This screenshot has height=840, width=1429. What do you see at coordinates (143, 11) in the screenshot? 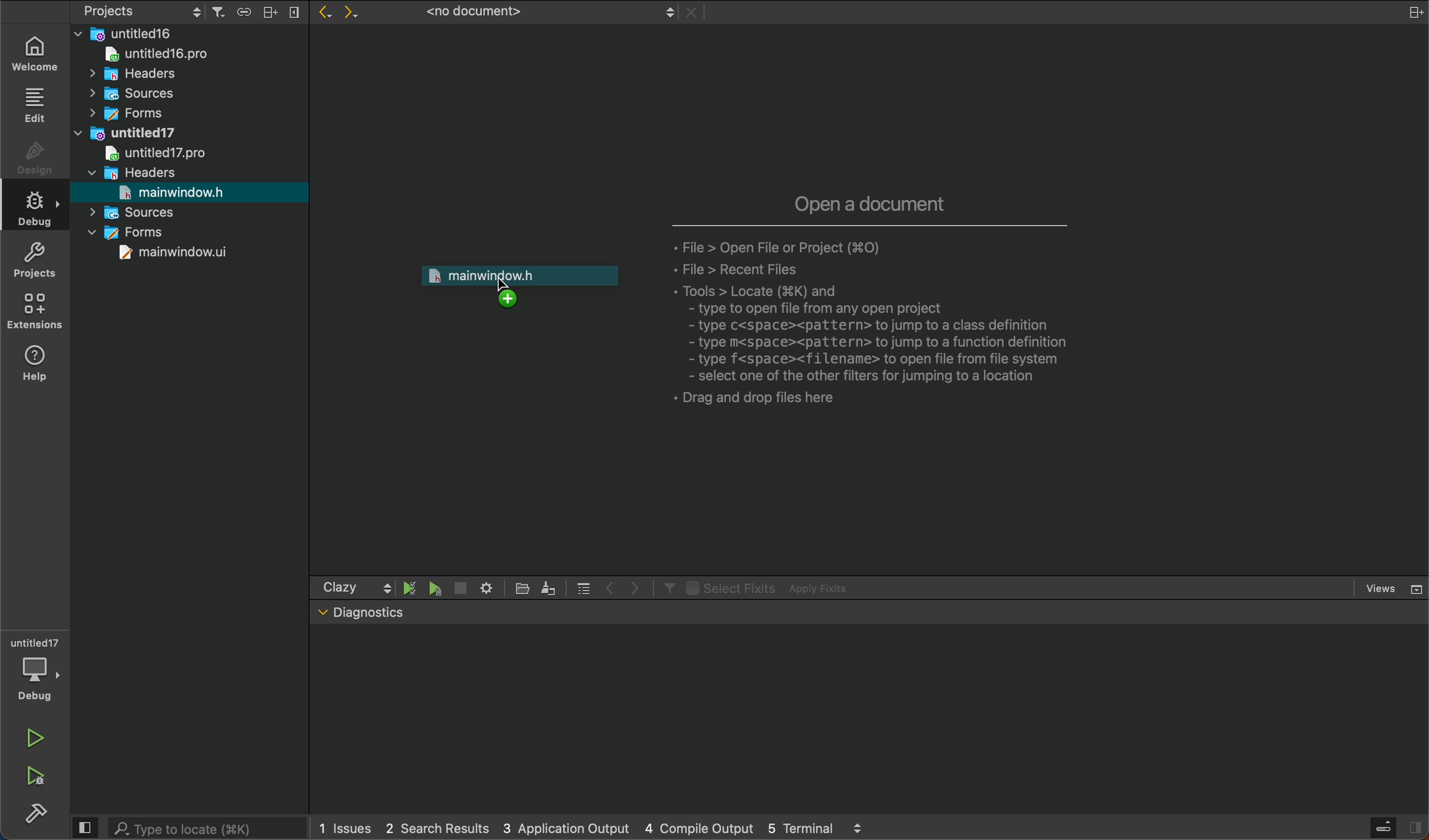
I see `project settings` at bounding box center [143, 11].